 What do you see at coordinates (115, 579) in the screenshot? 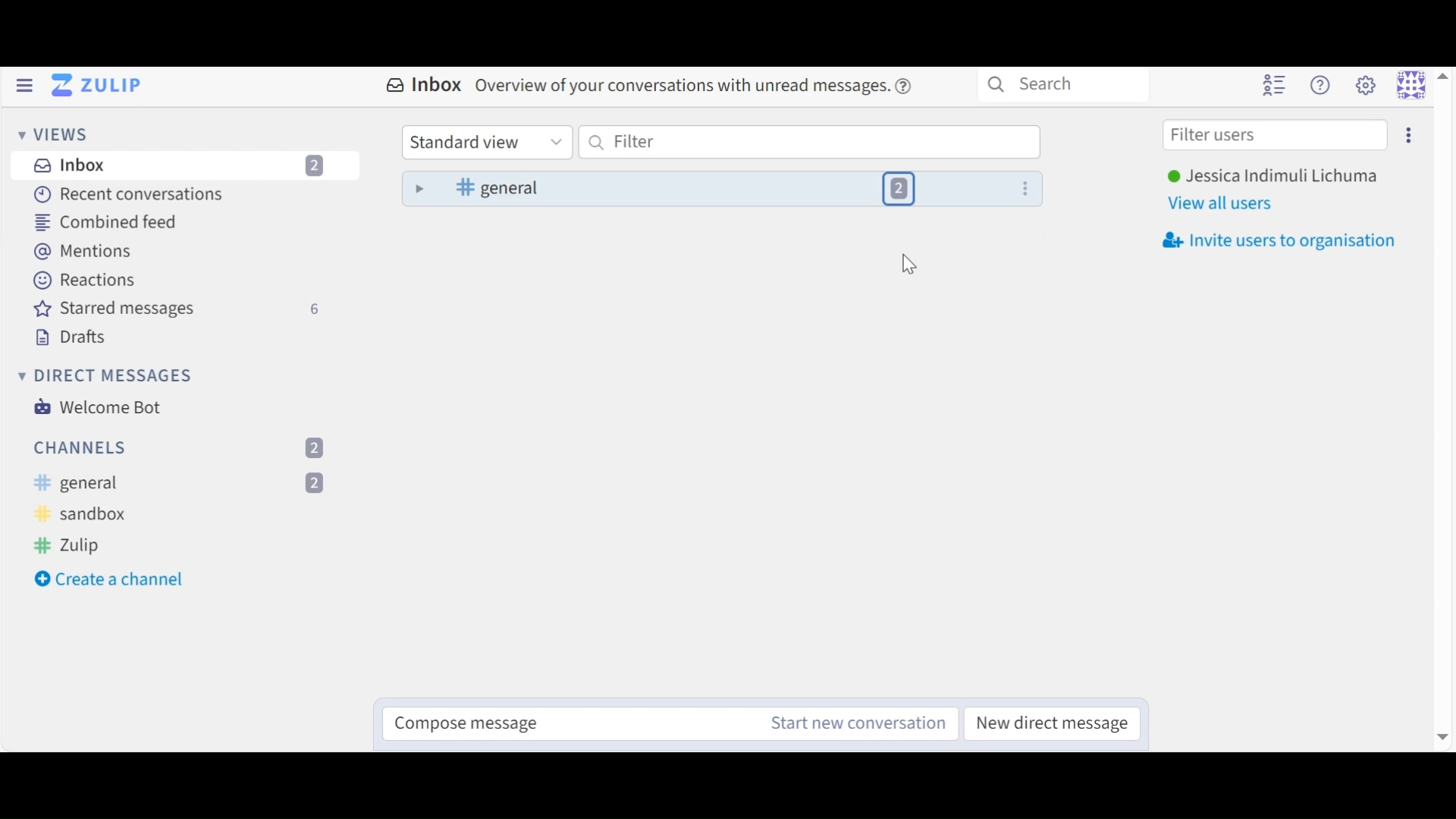
I see `Create a new Channel` at bounding box center [115, 579].